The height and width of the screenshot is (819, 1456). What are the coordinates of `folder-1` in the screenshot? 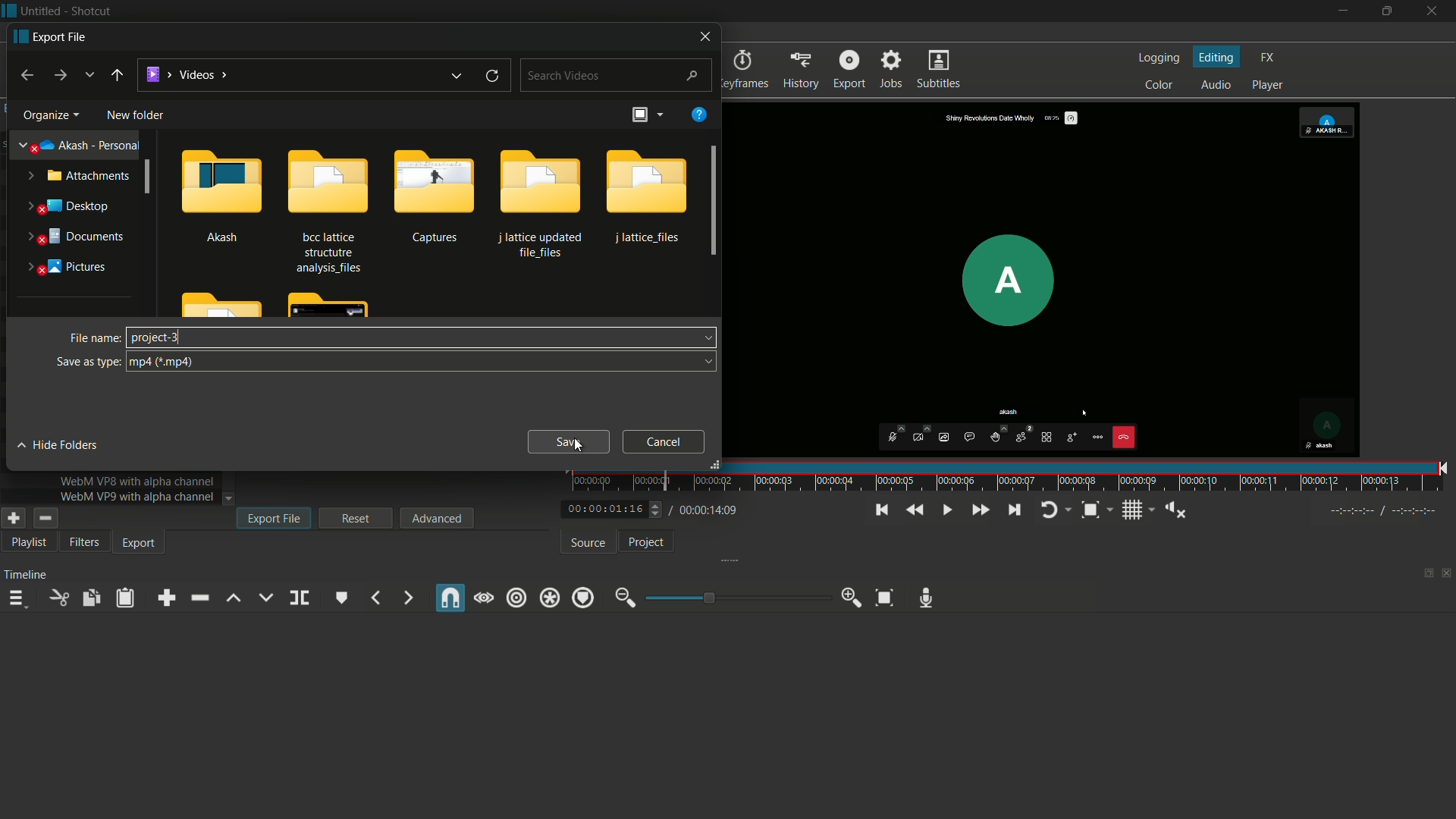 It's located at (222, 193).